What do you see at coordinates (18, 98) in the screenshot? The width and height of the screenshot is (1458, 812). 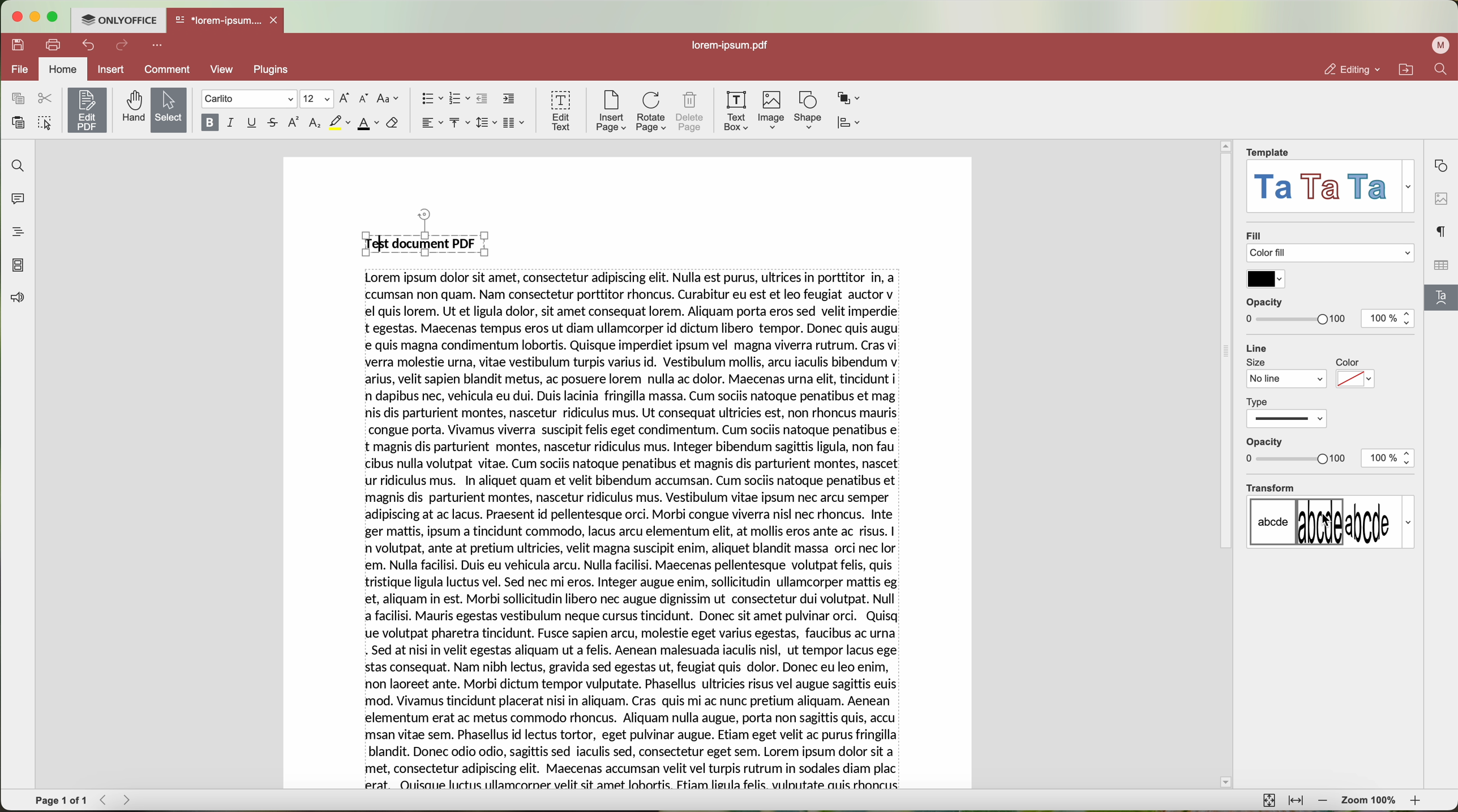 I see `copy` at bounding box center [18, 98].